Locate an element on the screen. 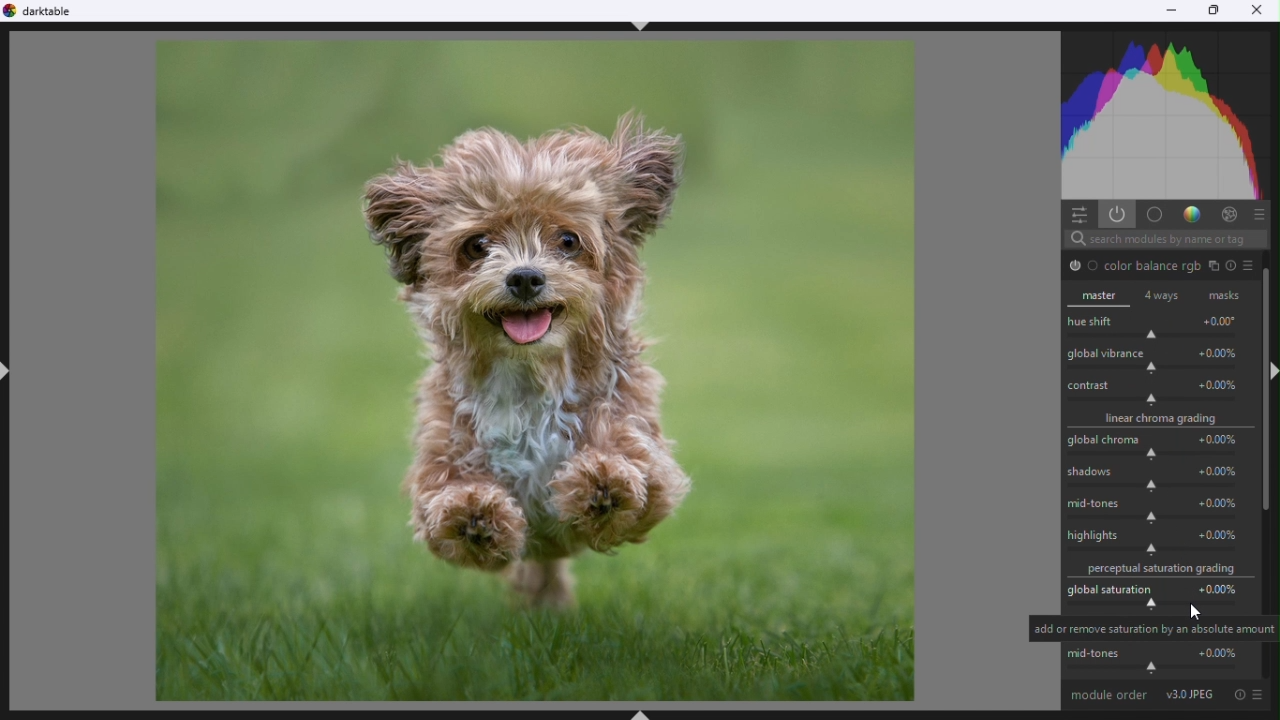 This screenshot has width=1280, height=720. Gradient is located at coordinates (1192, 215).